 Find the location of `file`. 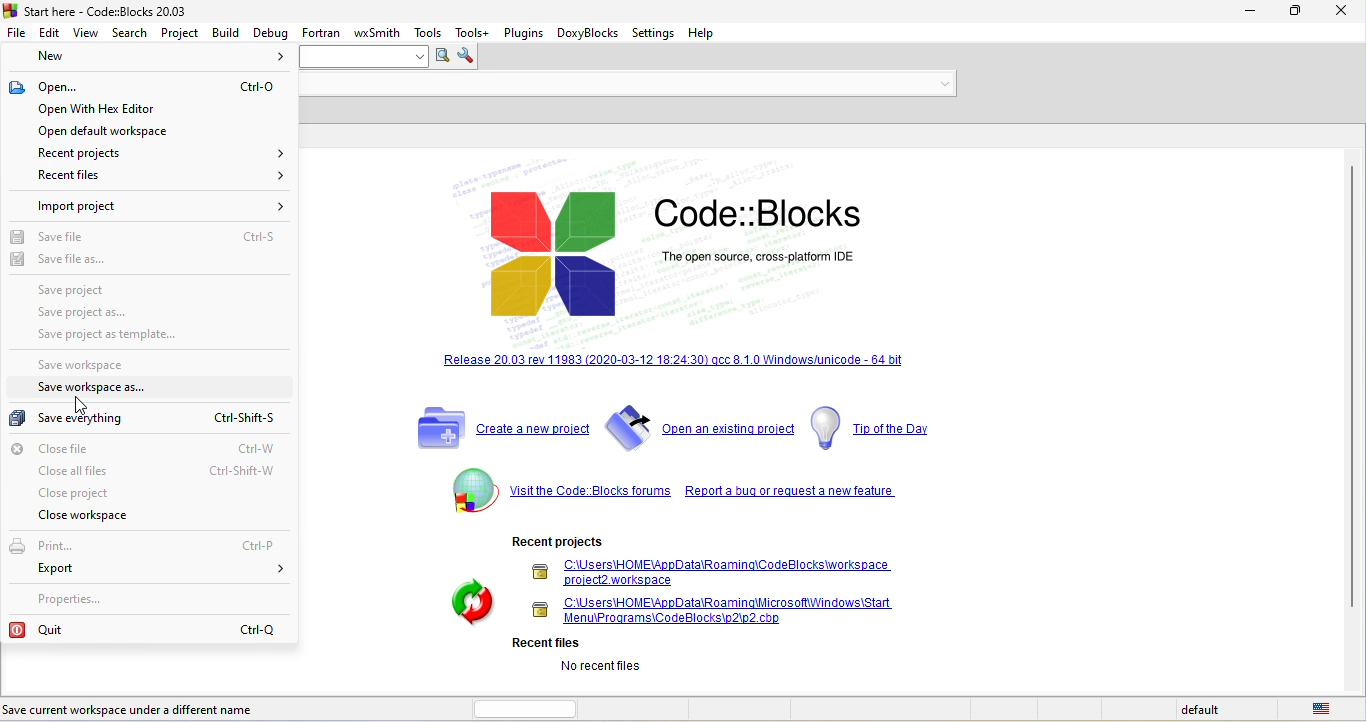

file is located at coordinates (17, 31).